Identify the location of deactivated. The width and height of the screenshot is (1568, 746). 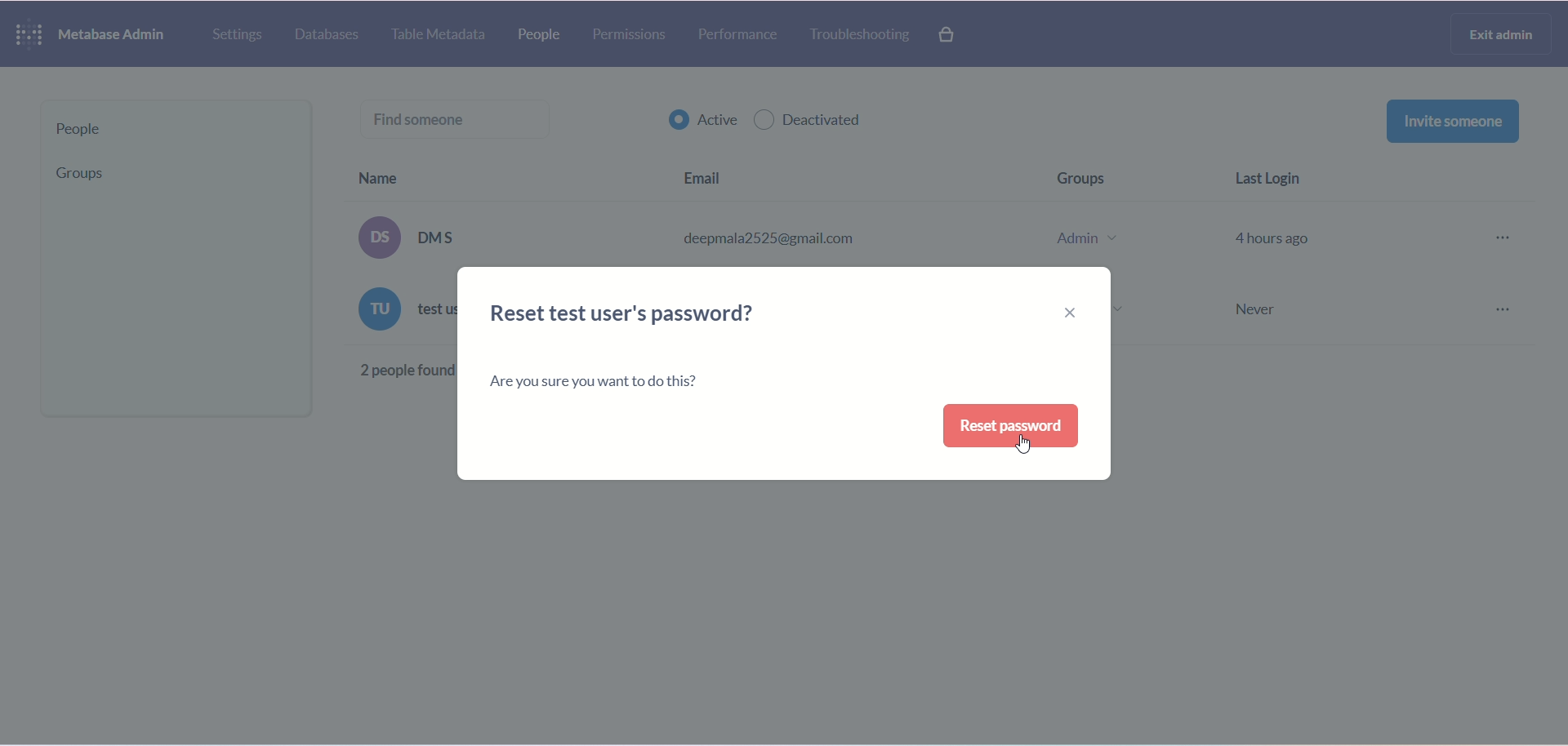
(812, 121).